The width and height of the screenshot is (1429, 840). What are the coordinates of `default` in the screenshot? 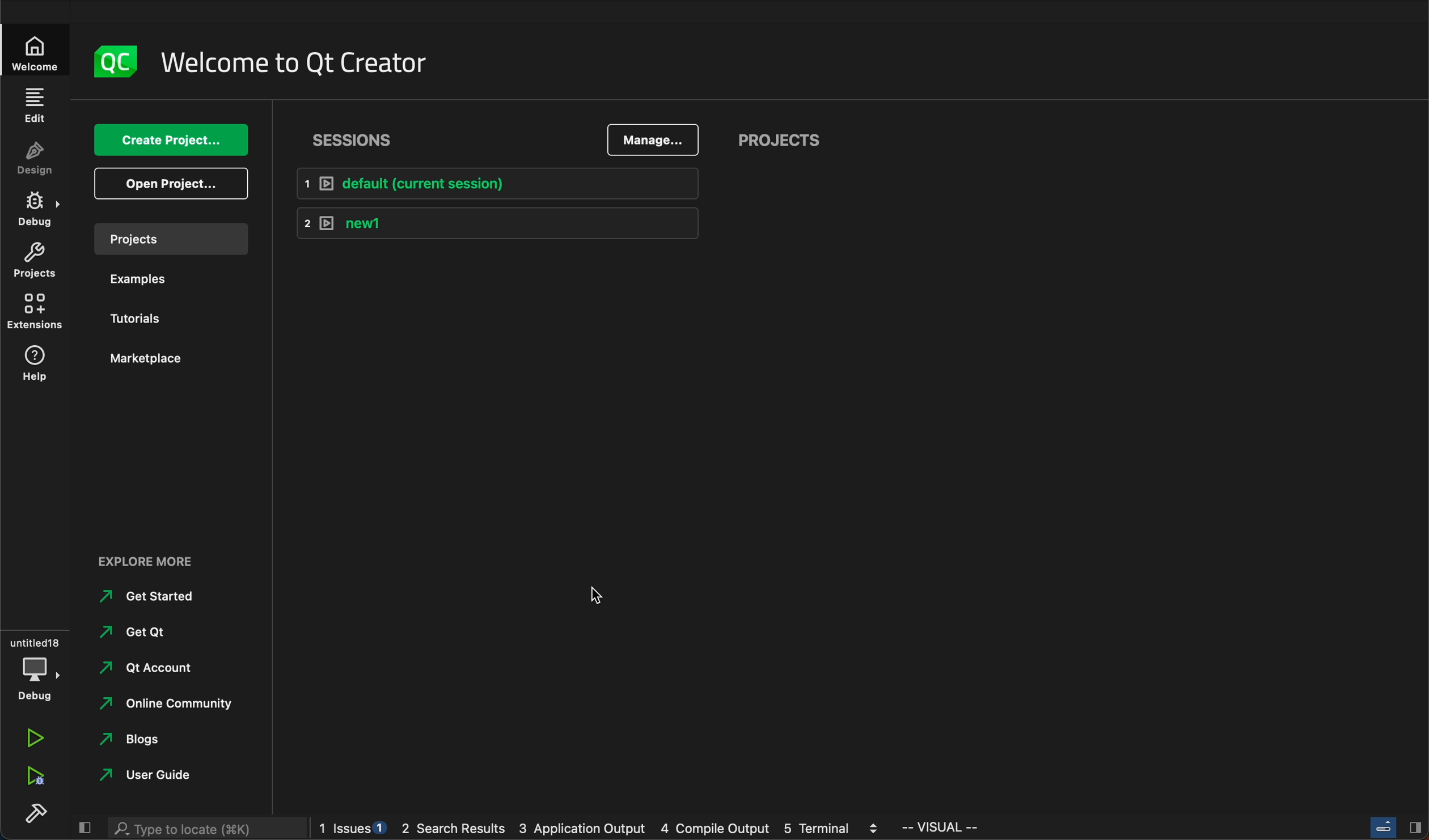 It's located at (501, 183).